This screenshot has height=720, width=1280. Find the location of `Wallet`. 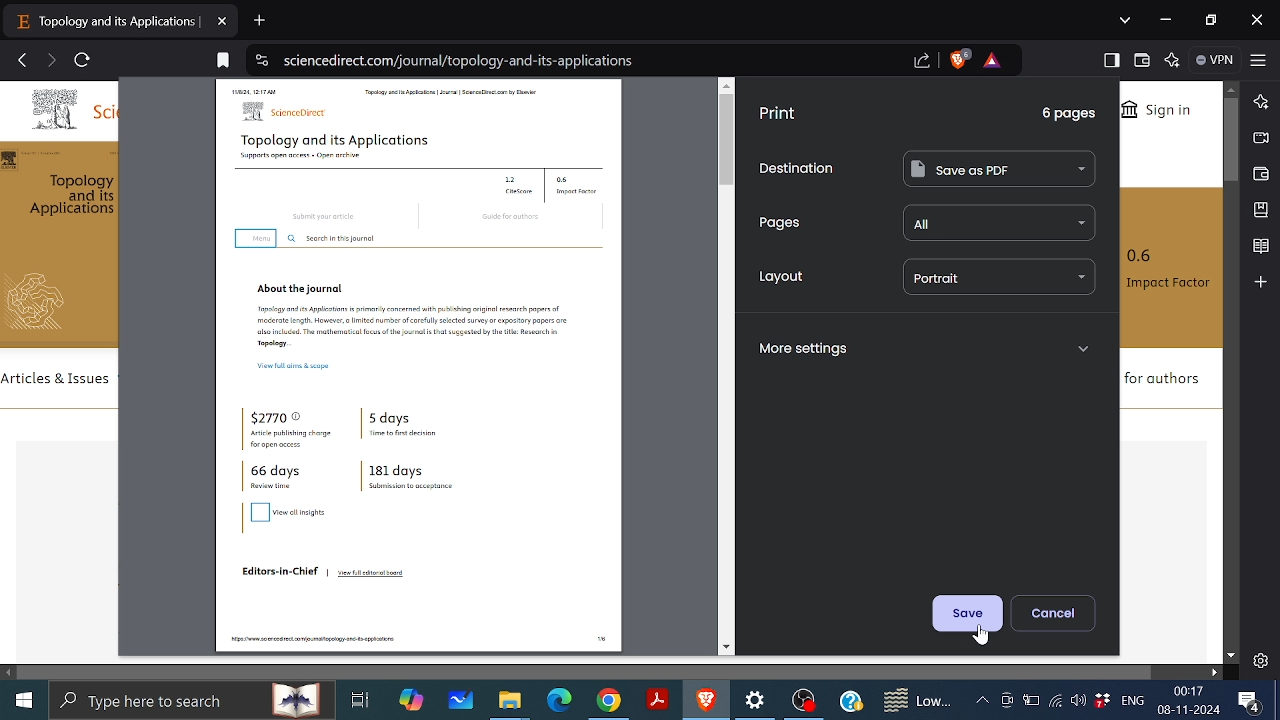

Wallet is located at coordinates (1141, 59).